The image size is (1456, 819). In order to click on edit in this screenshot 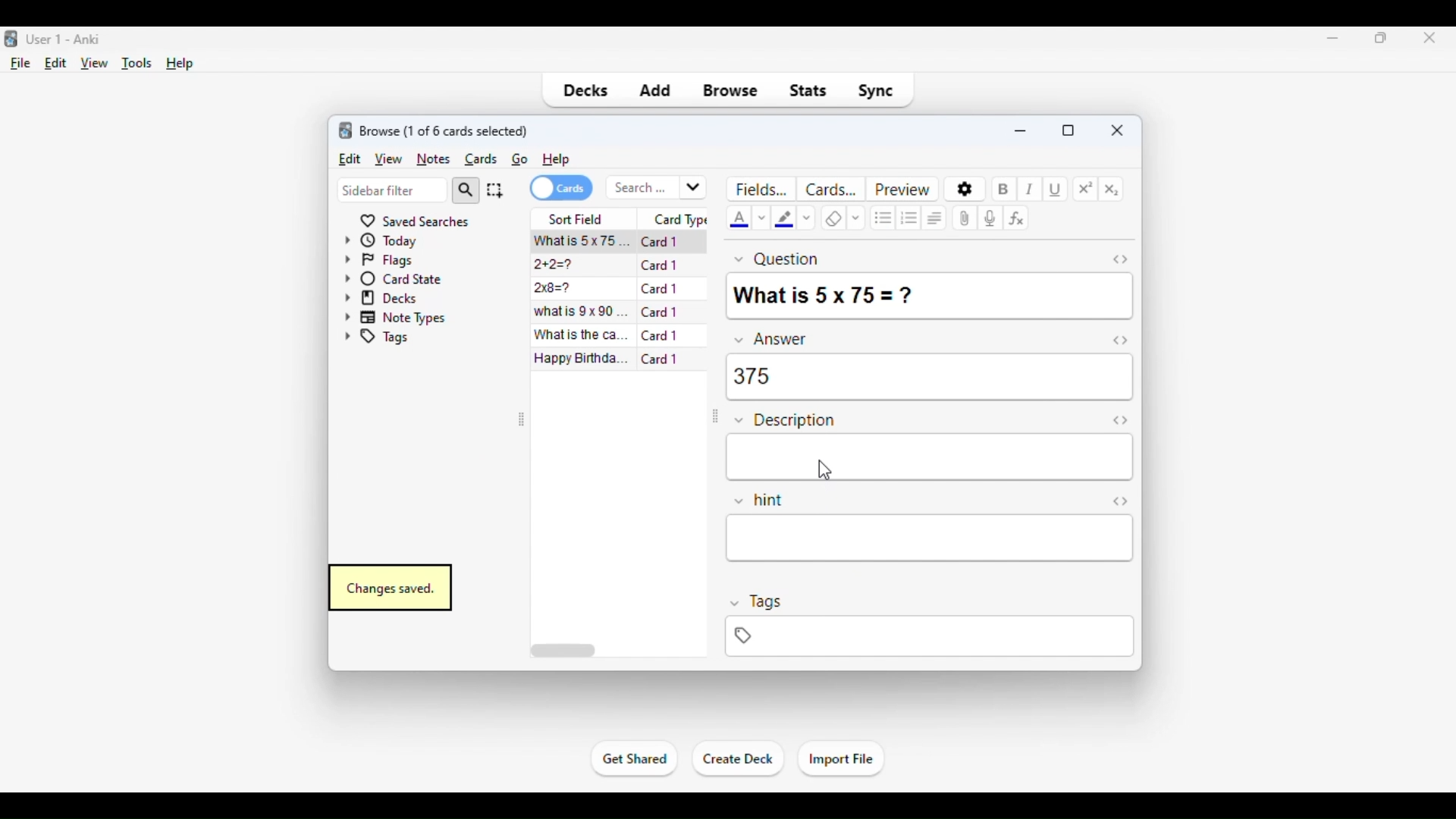, I will do `click(56, 63)`.